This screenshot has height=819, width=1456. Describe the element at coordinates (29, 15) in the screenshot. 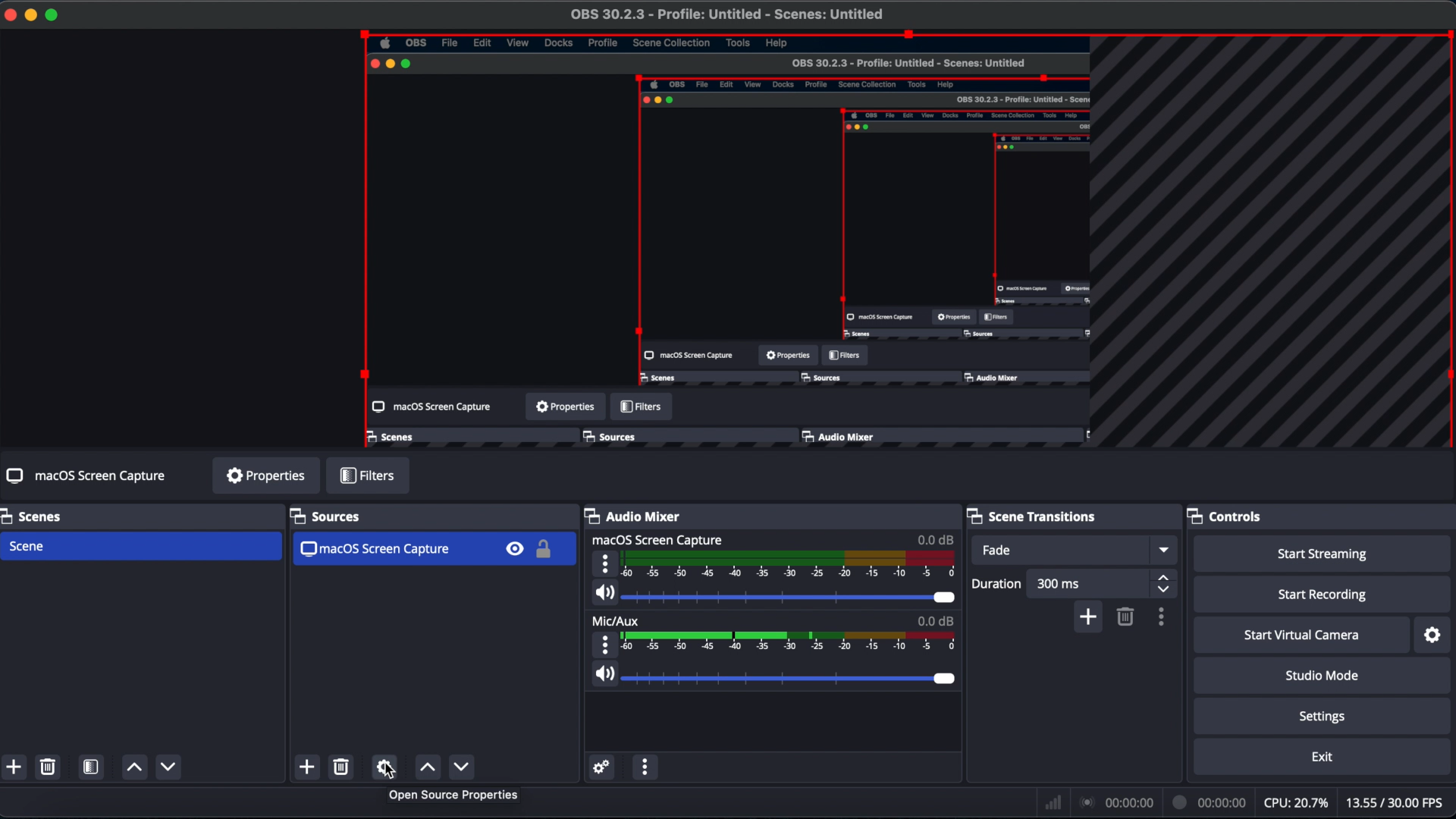

I see `minimize` at that location.